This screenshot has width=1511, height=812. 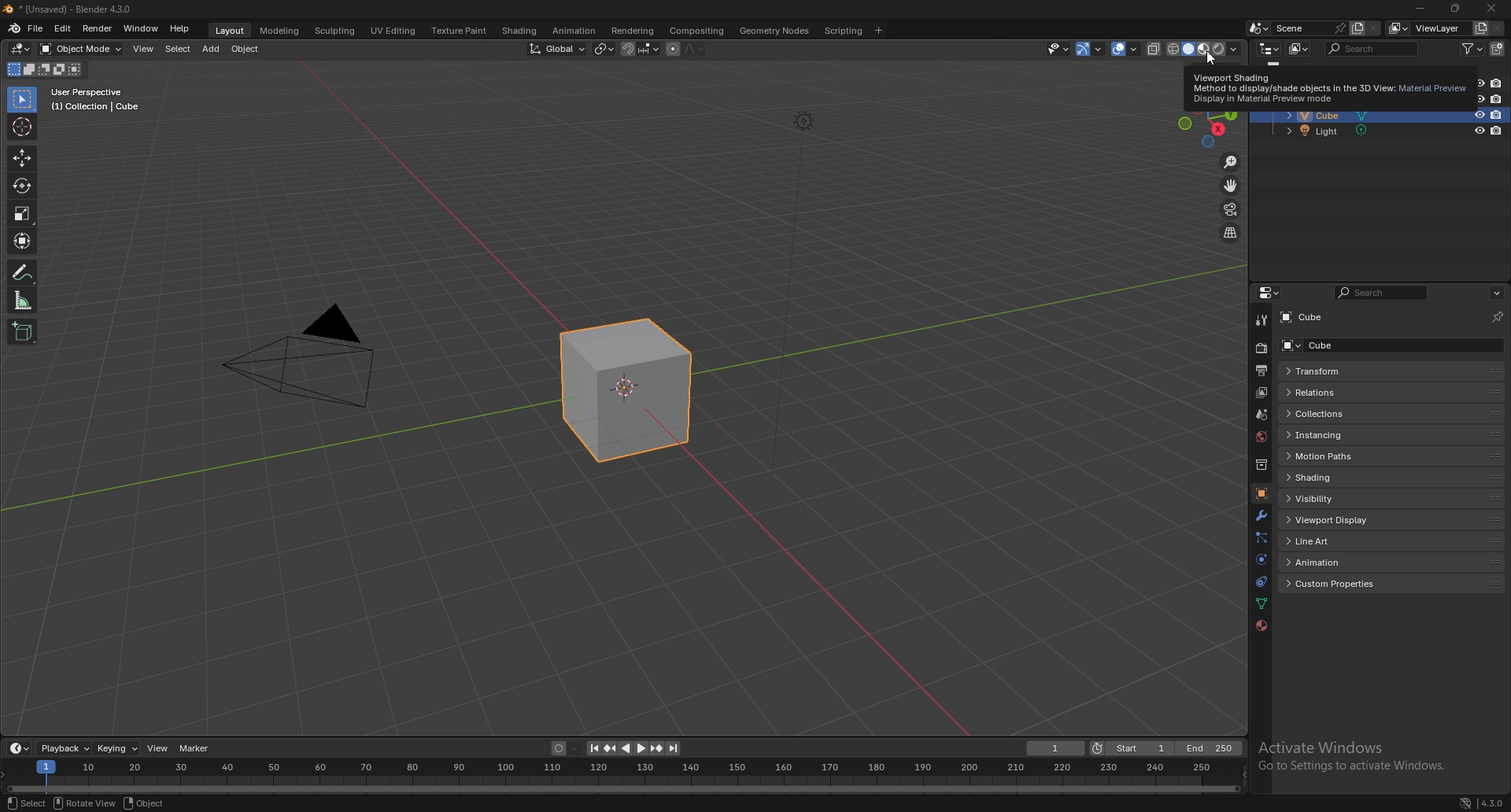 I want to click on add viewlayer, so click(x=1480, y=28).